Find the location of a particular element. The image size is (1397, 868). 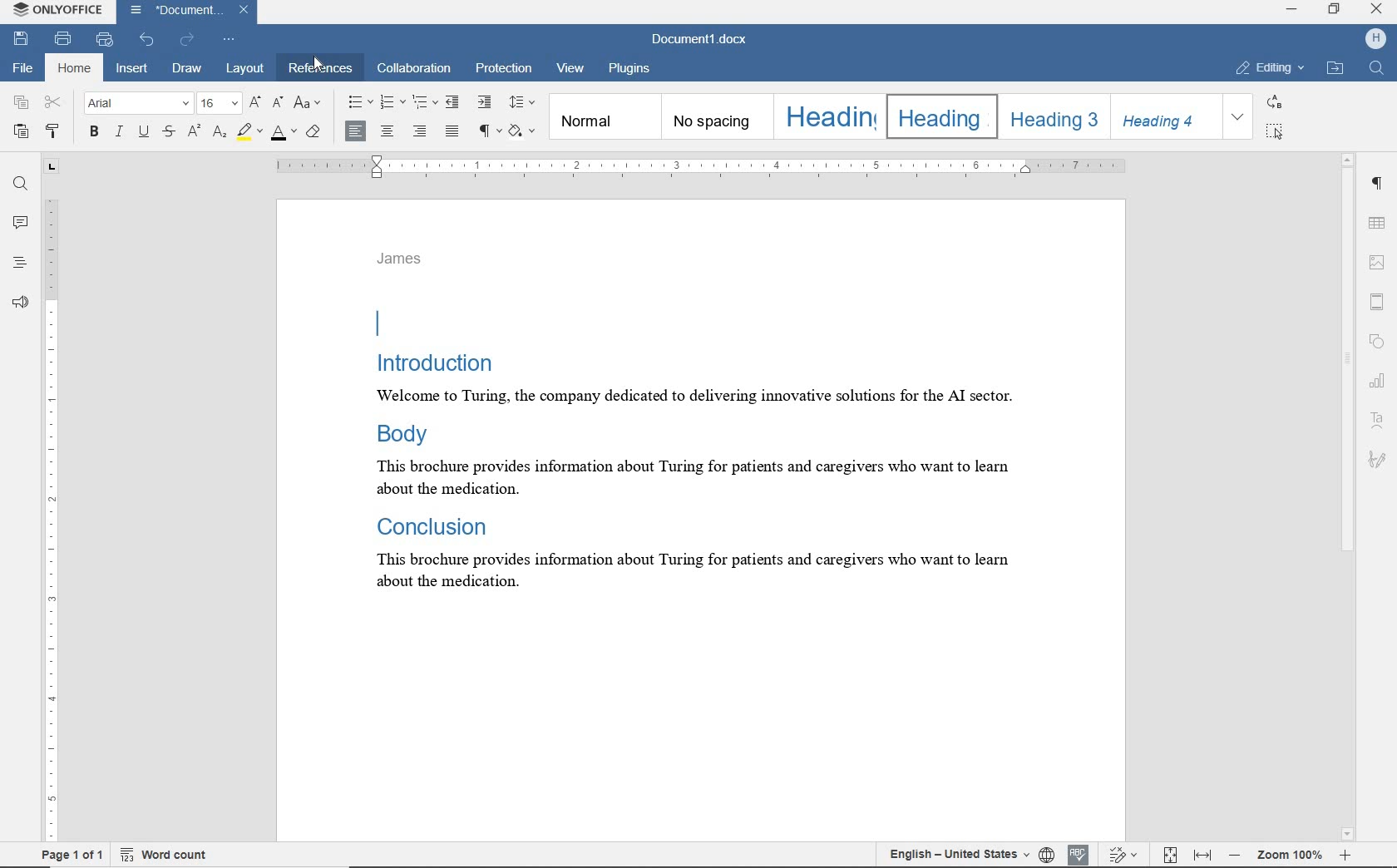

heading 4 is located at coordinates (1163, 117).